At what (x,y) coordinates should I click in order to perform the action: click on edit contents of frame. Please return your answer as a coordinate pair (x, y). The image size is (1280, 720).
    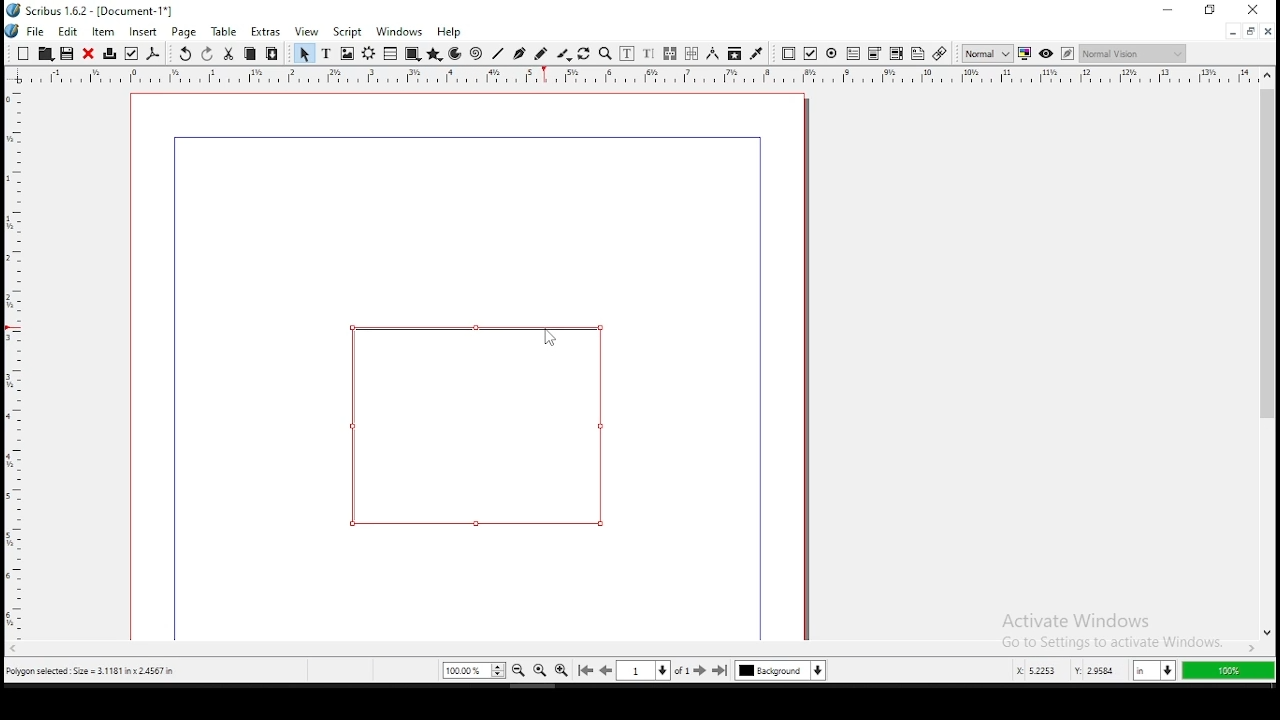
    Looking at the image, I should click on (627, 54).